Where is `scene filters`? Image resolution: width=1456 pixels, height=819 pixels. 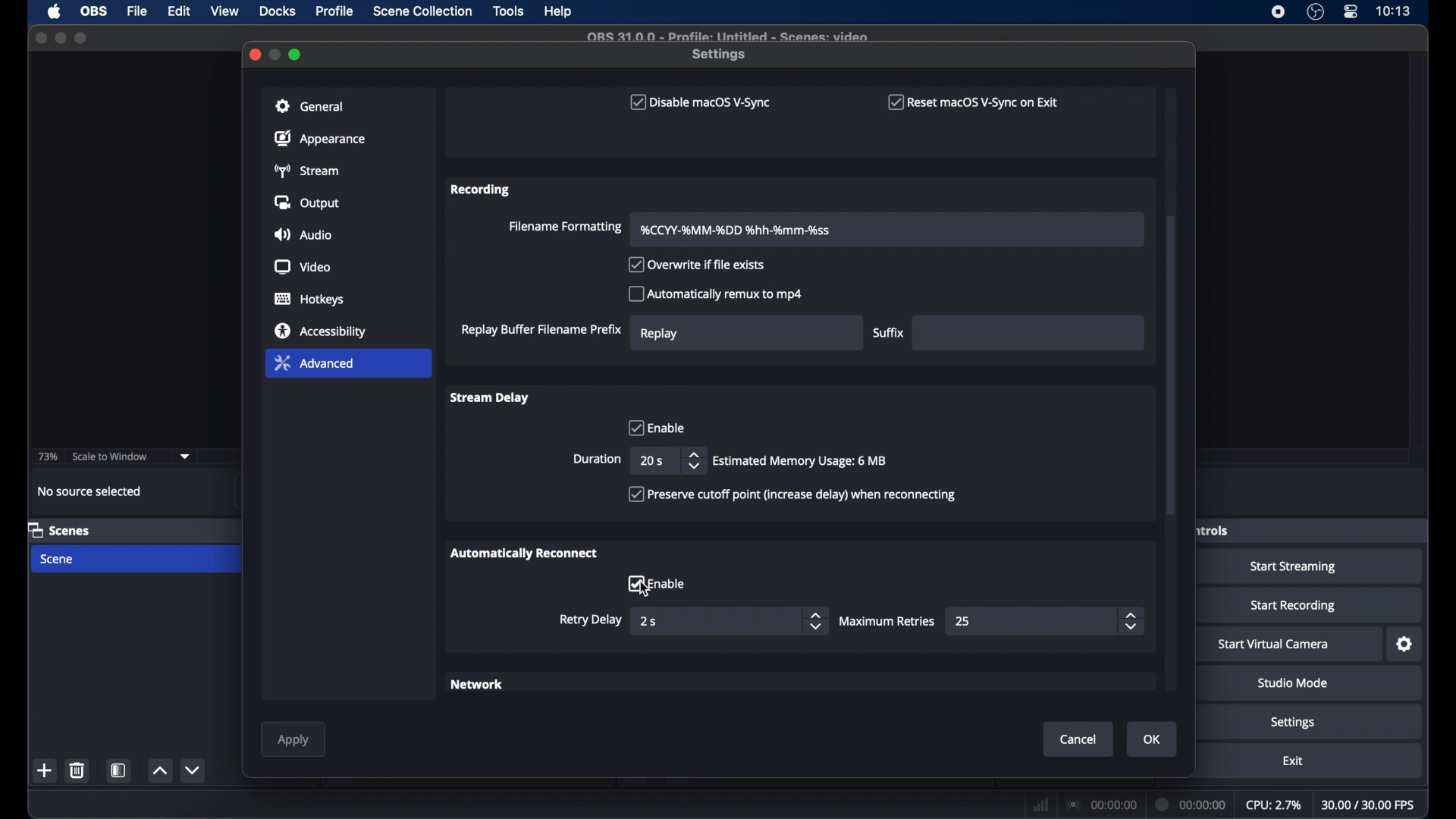
scene filters is located at coordinates (120, 770).